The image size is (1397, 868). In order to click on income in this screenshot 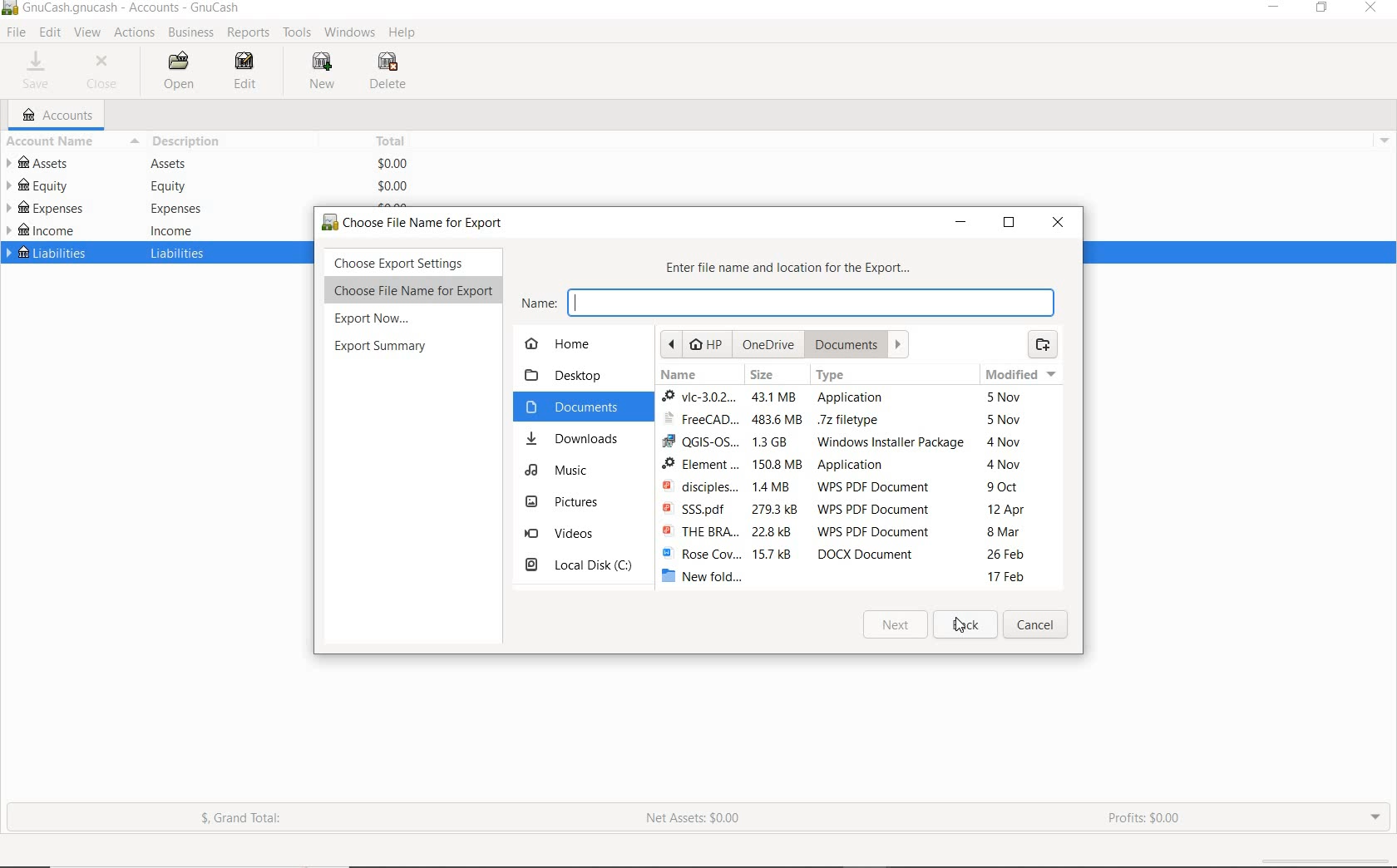, I will do `click(170, 229)`.